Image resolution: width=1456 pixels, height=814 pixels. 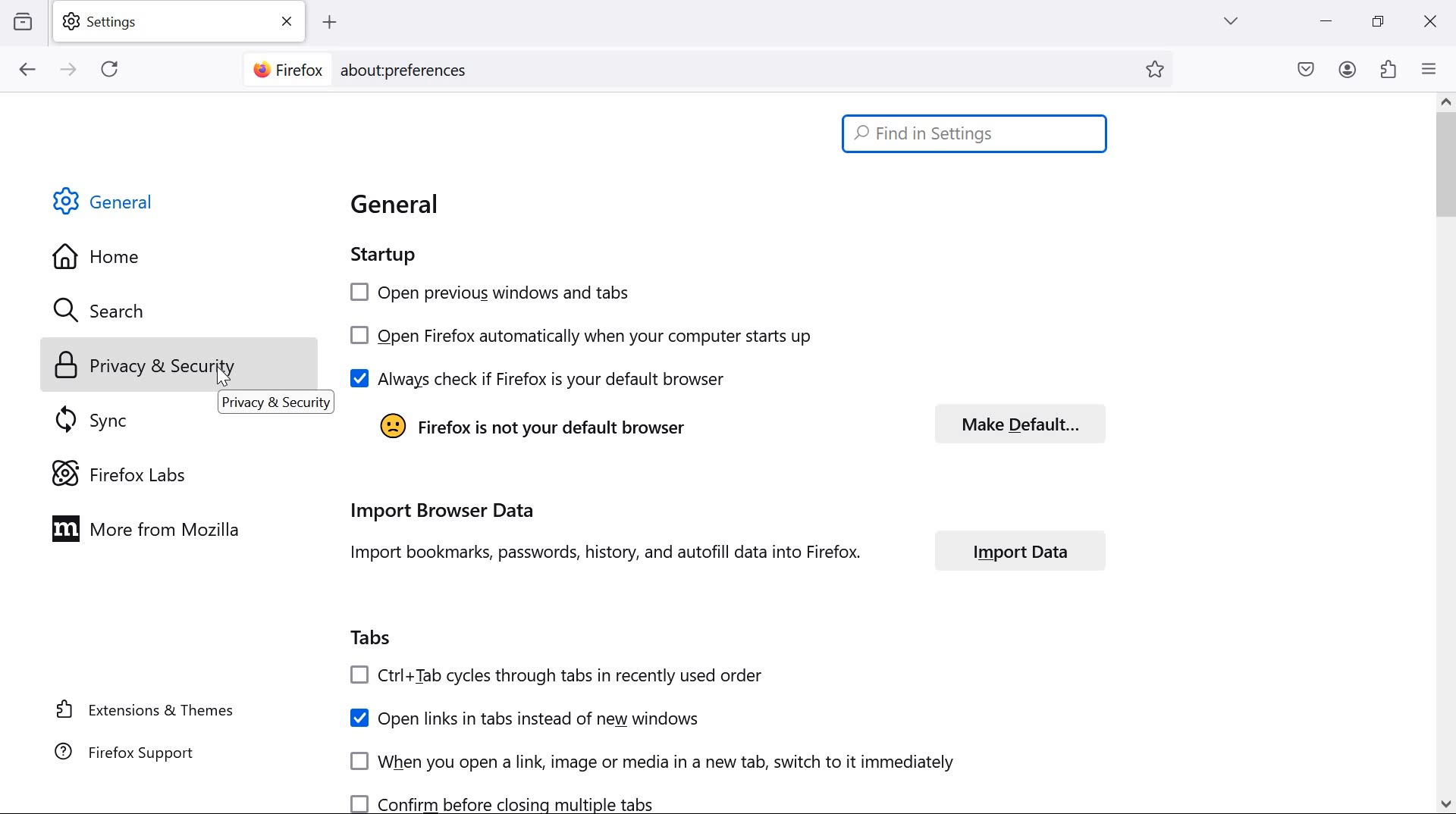 What do you see at coordinates (128, 751) in the screenshot?
I see `Firefox support` at bounding box center [128, 751].